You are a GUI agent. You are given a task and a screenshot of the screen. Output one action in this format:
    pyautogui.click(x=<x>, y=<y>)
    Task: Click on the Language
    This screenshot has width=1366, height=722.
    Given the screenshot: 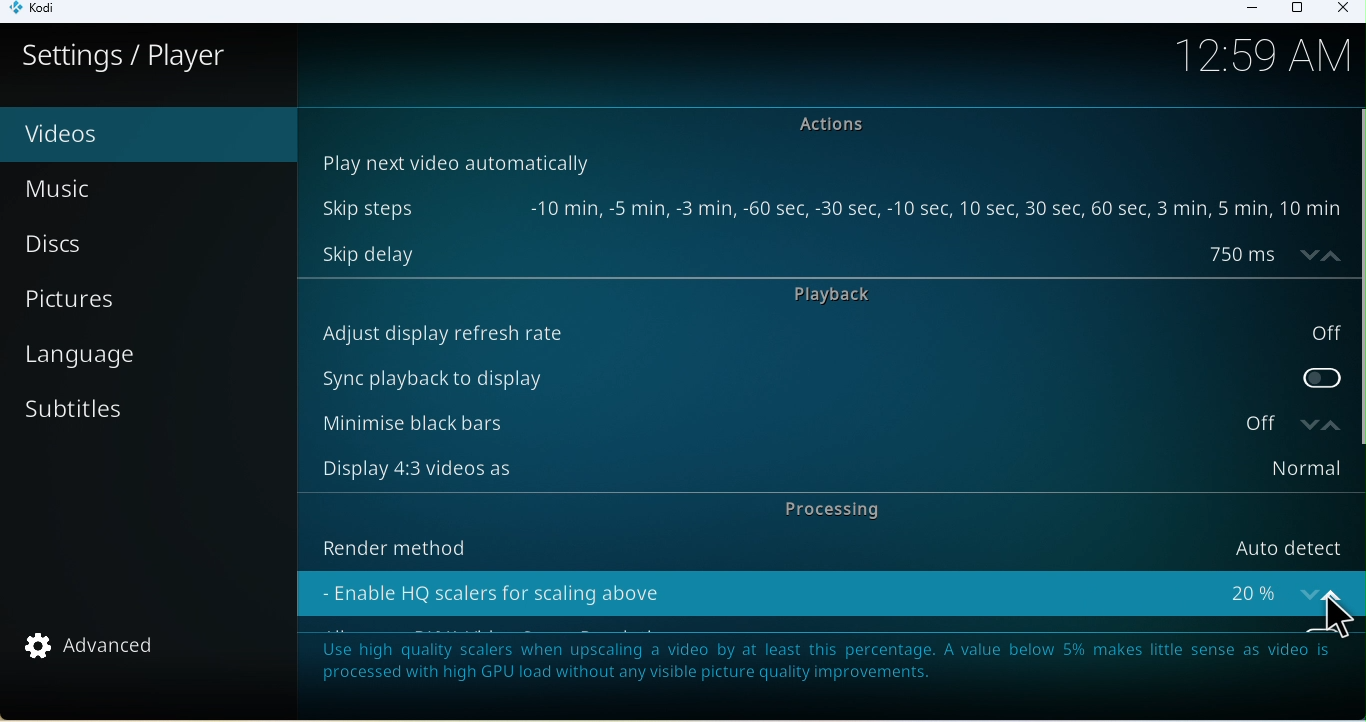 What is the action you would take?
    pyautogui.click(x=145, y=364)
    